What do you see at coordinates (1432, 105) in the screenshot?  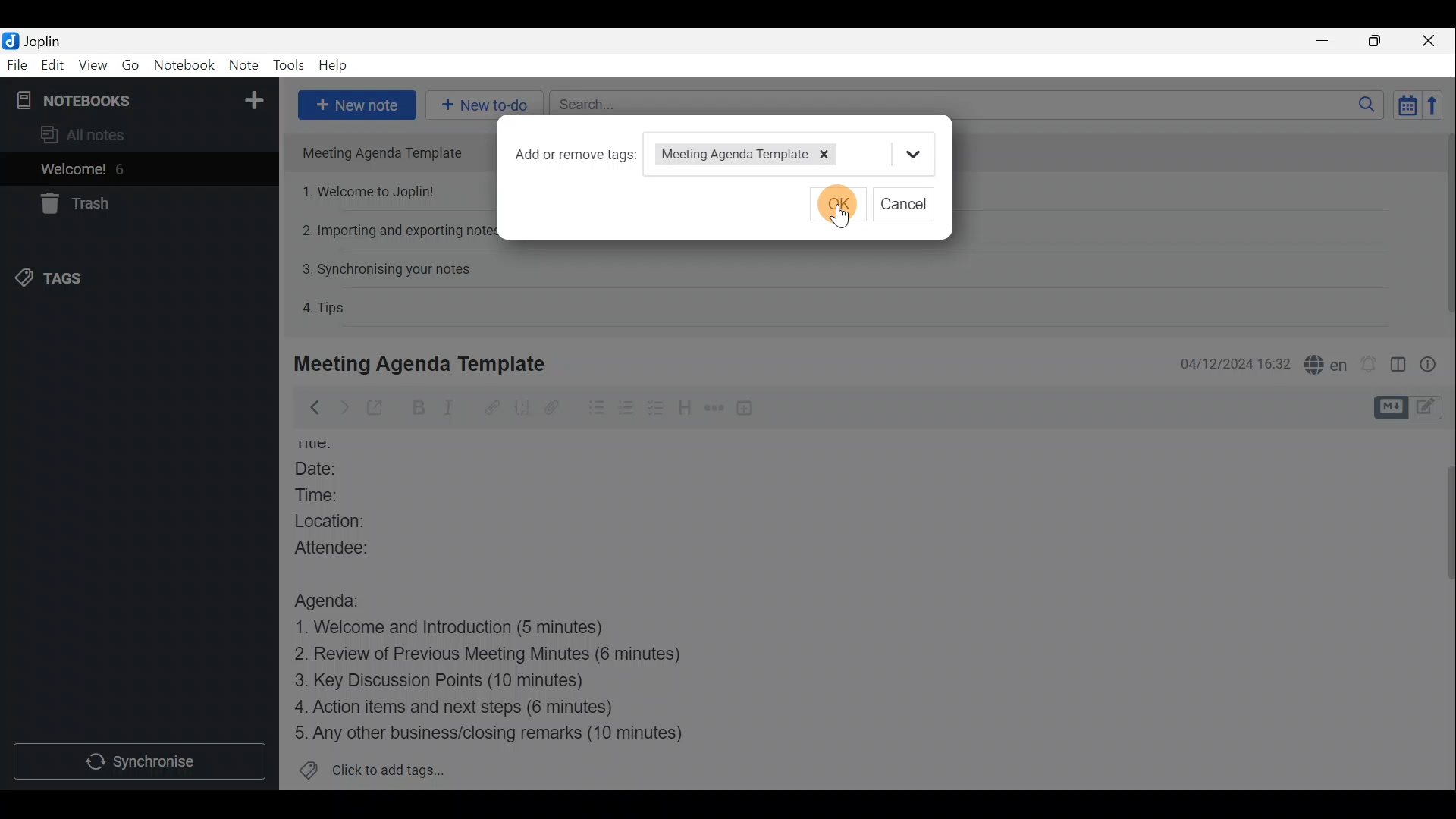 I see `Reverse sort order` at bounding box center [1432, 105].